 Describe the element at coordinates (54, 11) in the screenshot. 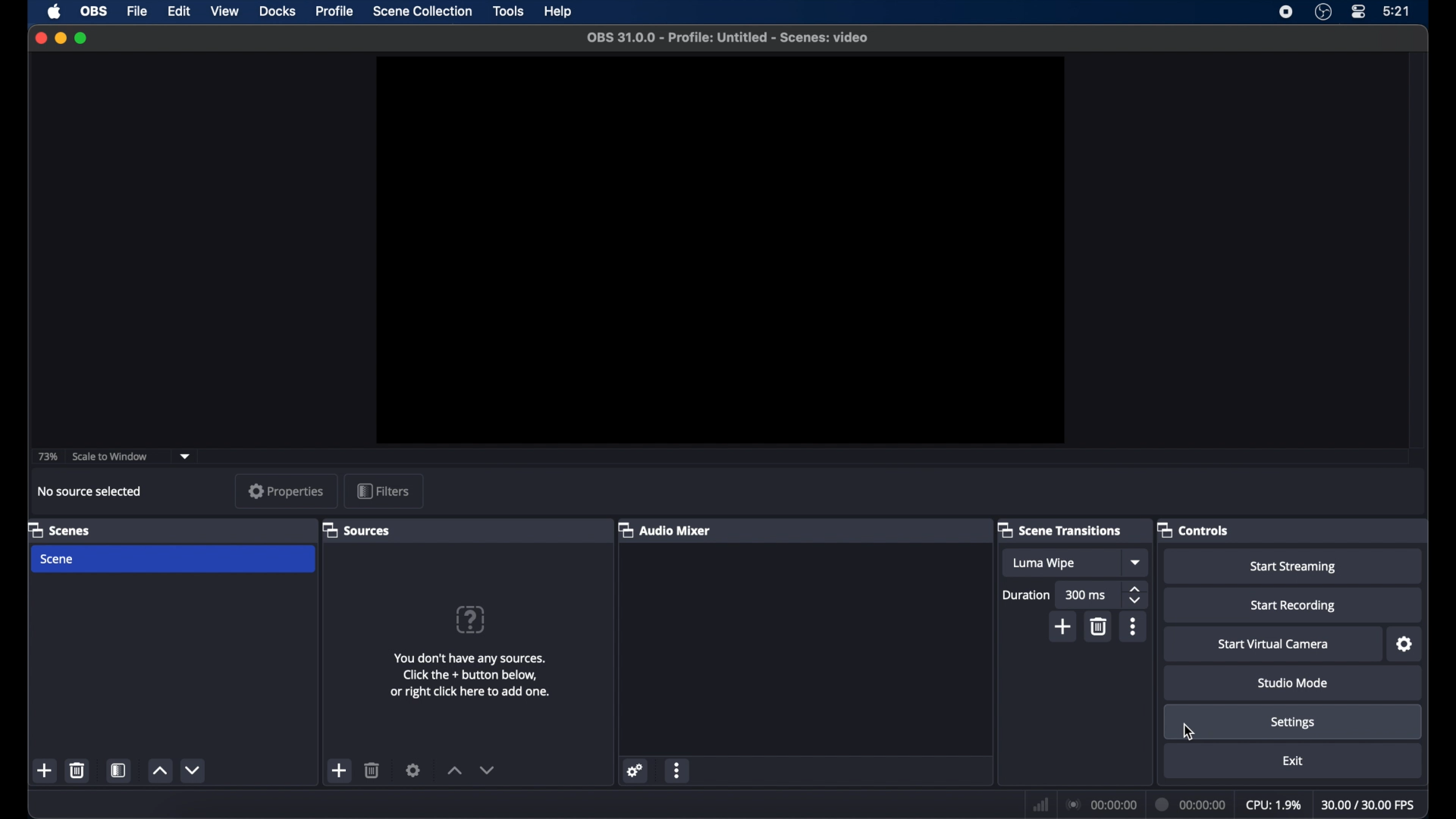

I see `apple icon` at that location.